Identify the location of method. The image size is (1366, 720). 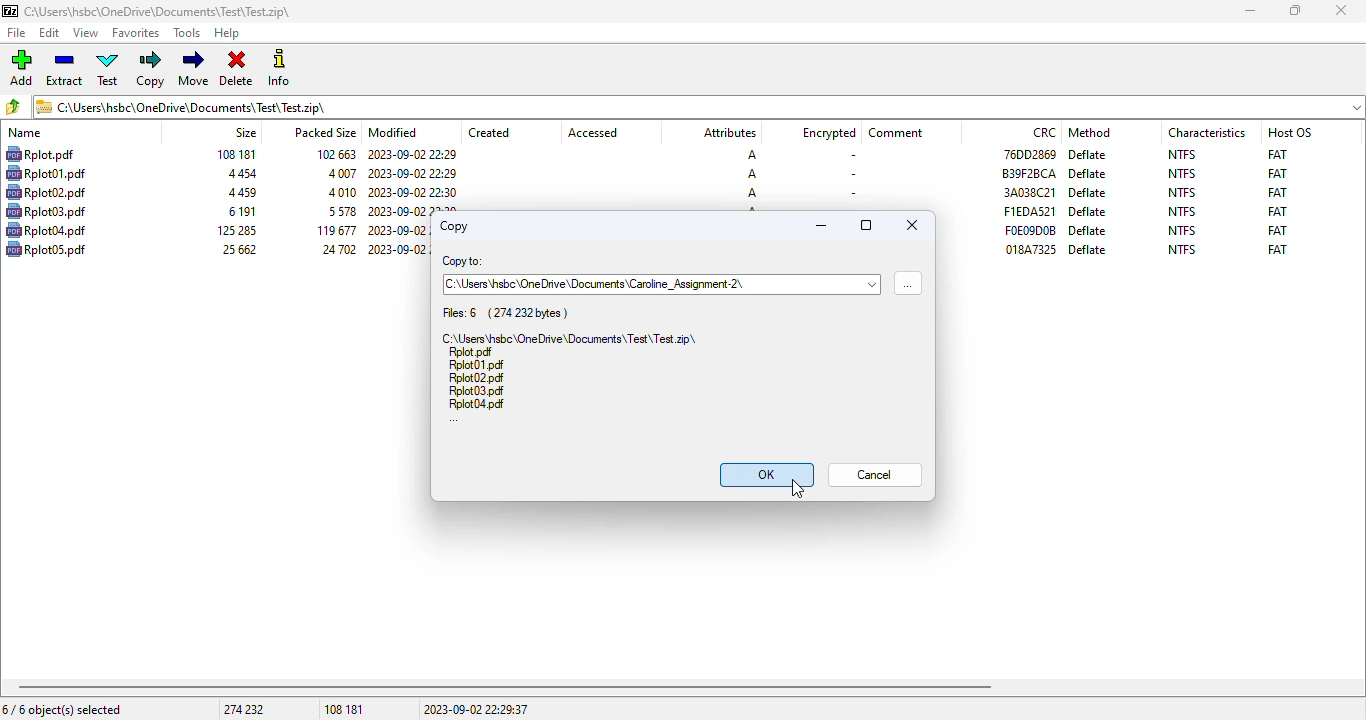
(1089, 132).